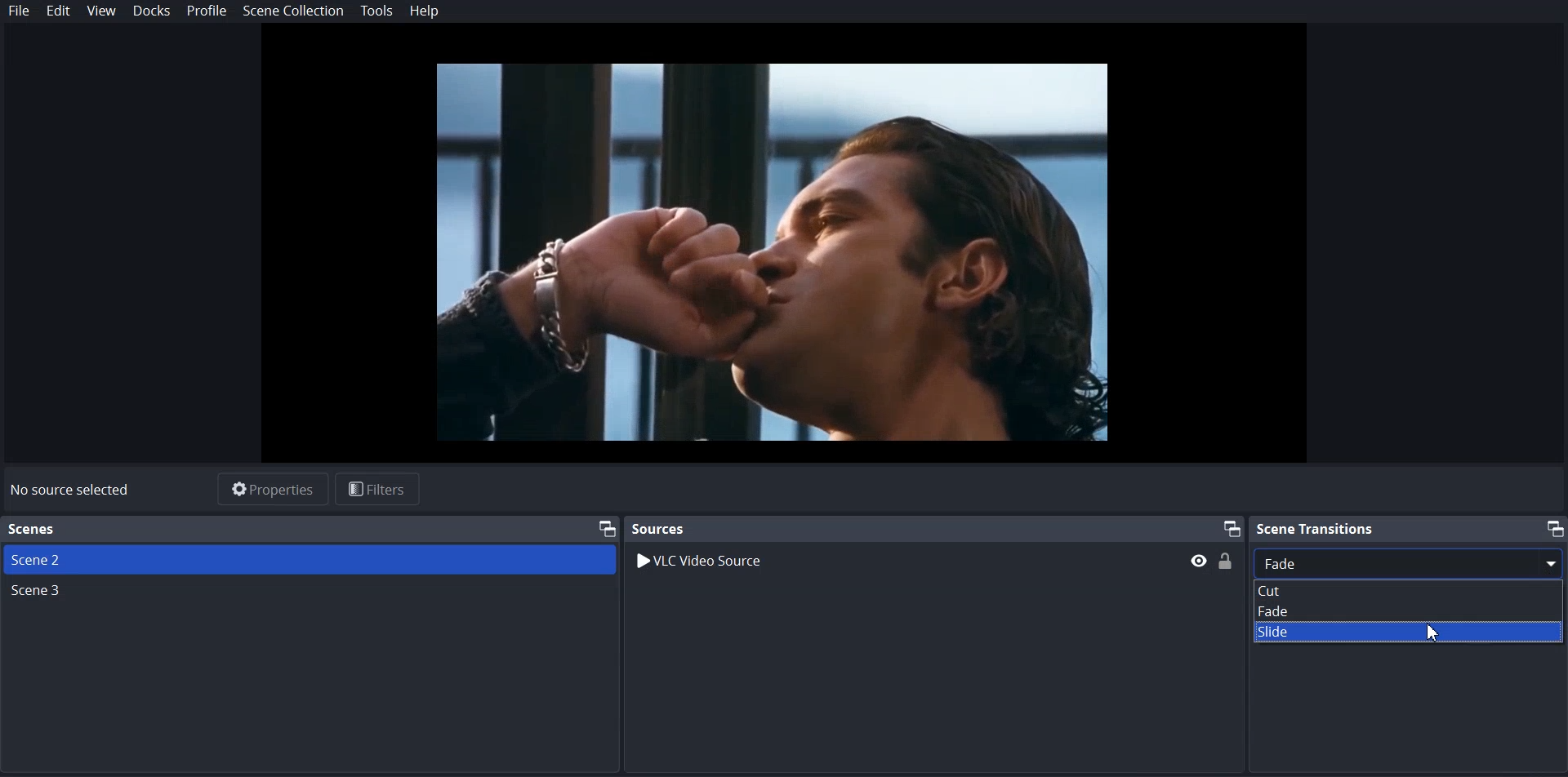  Describe the element at coordinates (310, 529) in the screenshot. I see `Text 1` at that location.